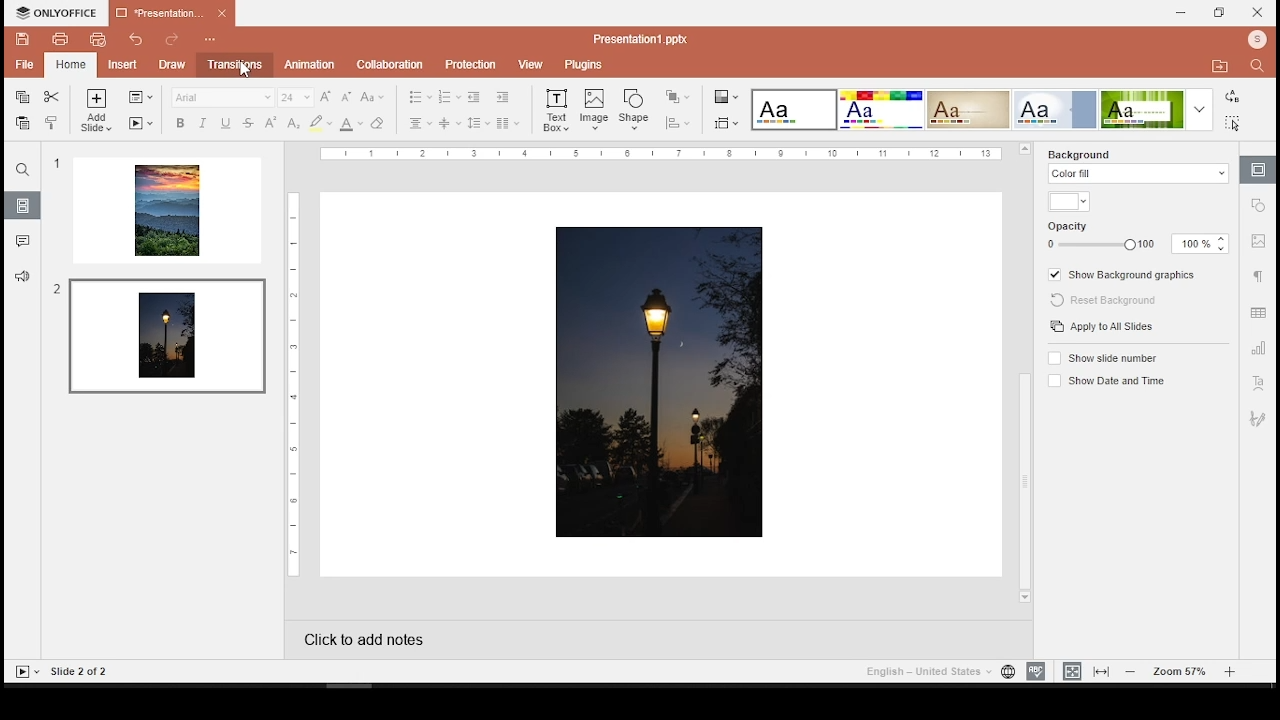 This screenshot has height=720, width=1280. Describe the element at coordinates (1260, 69) in the screenshot. I see `search` at that location.